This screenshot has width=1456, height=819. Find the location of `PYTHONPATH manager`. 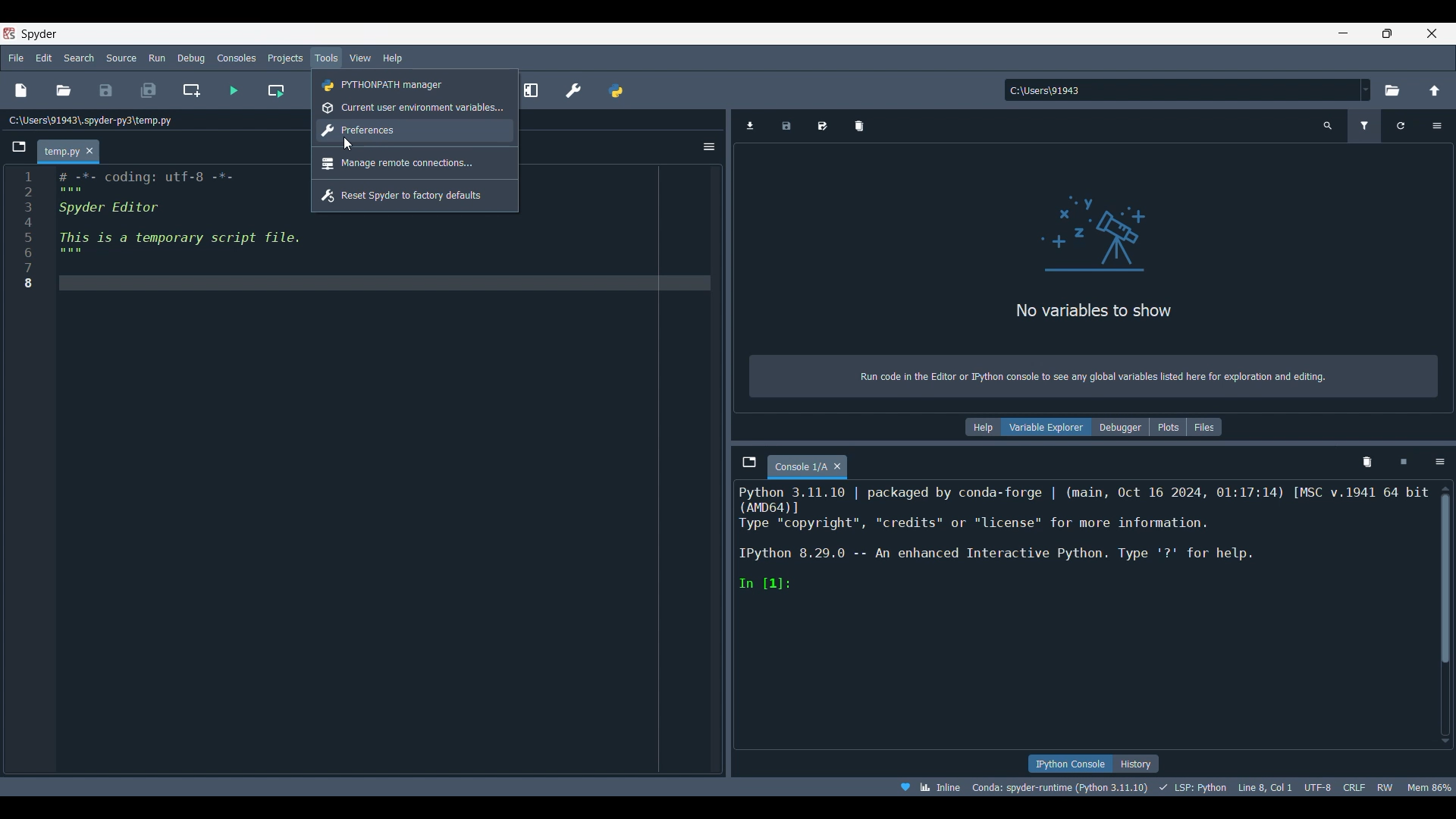

PYTHONPATH manager is located at coordinates (416, 84).